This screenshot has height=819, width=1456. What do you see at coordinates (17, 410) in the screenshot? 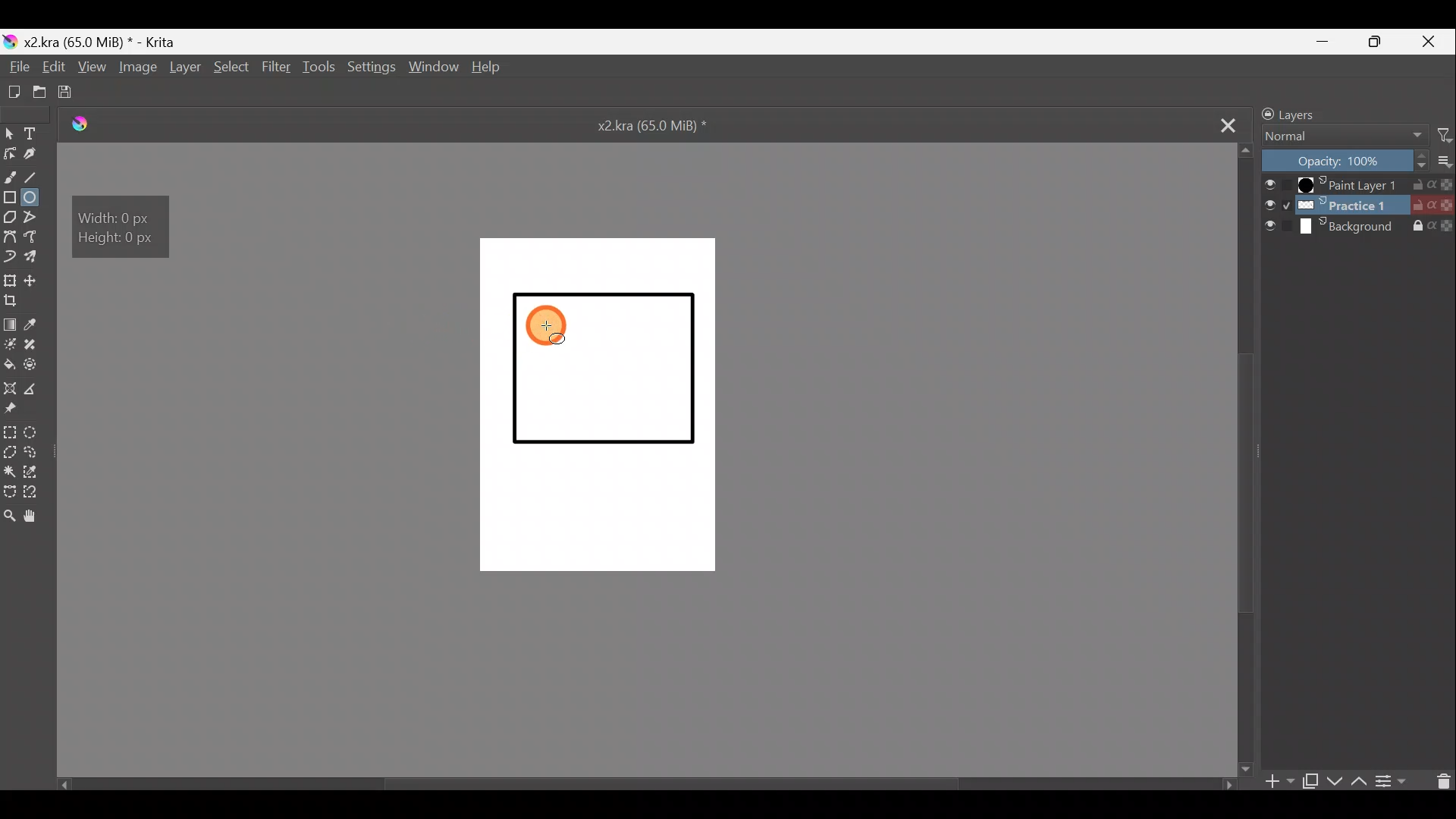
I see `Reference images tool` at bounding box center [17, 410].